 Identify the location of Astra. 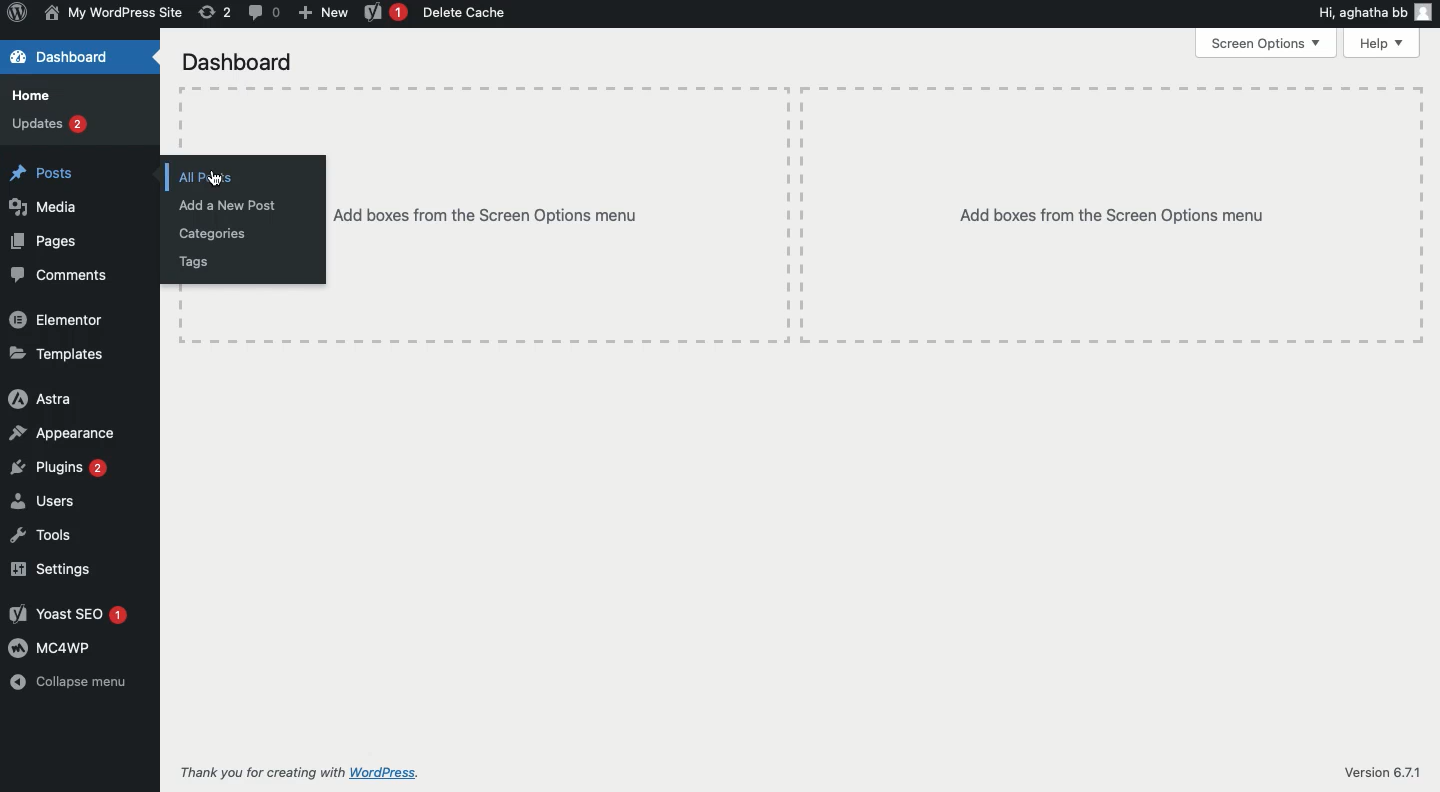
(41, 398).